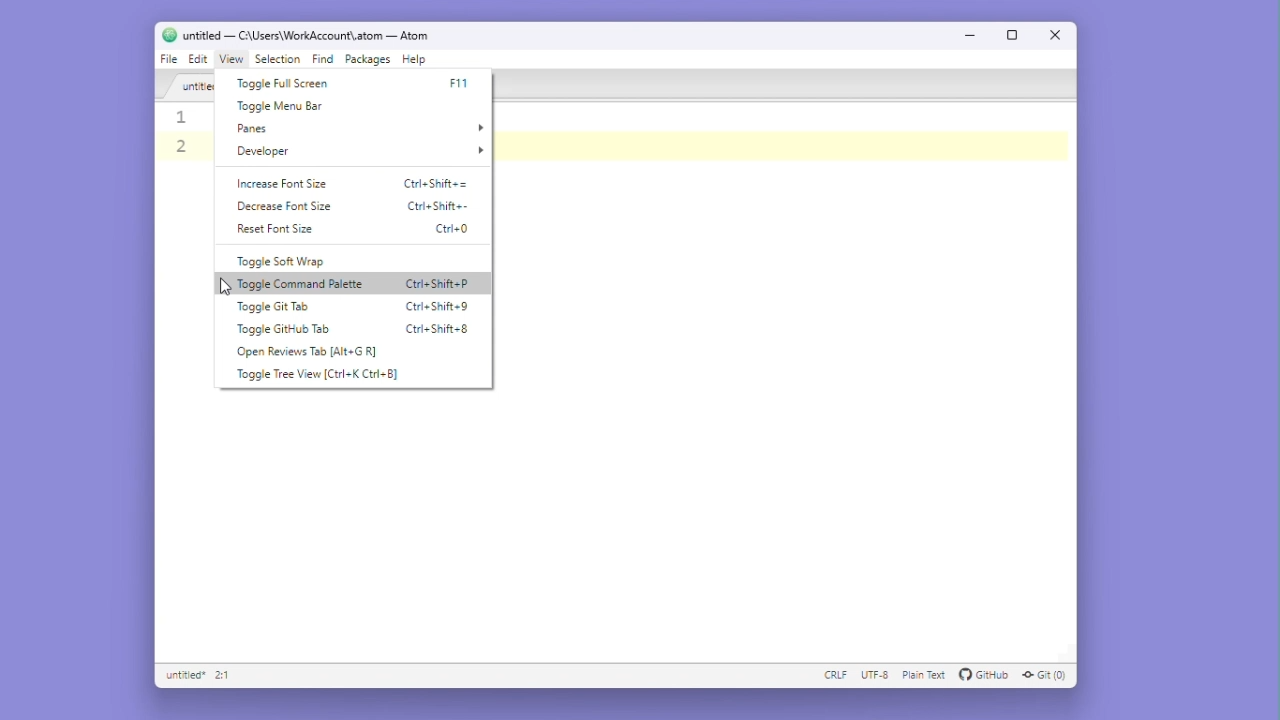 The height and width of the screenshot is (720, 1280). What do you see at coordinates (292, 106) in the screenshot?
I see `toggle menu bar` at bounding box center [292, 106].